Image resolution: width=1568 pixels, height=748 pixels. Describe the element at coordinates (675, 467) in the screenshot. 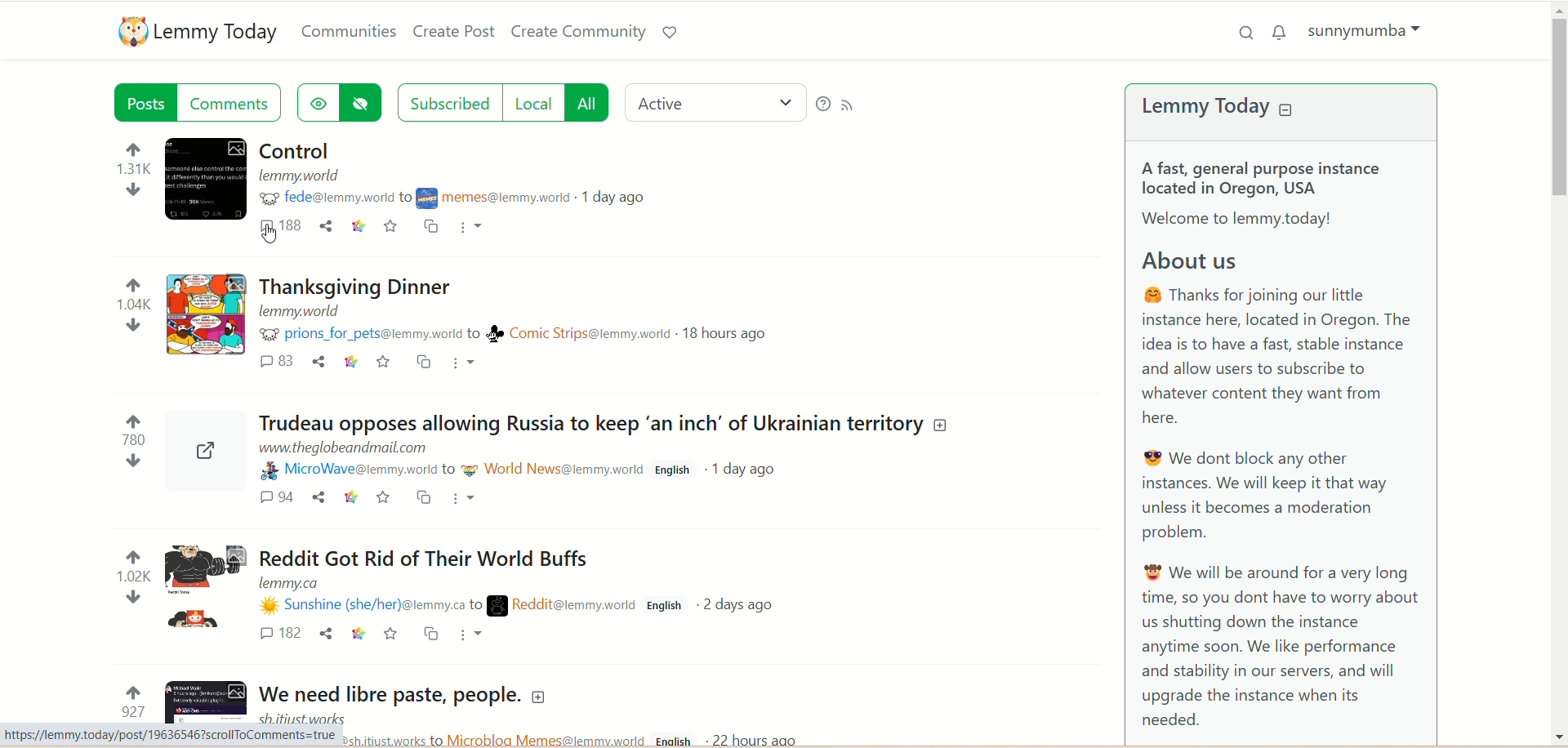

I see `English` at that location.